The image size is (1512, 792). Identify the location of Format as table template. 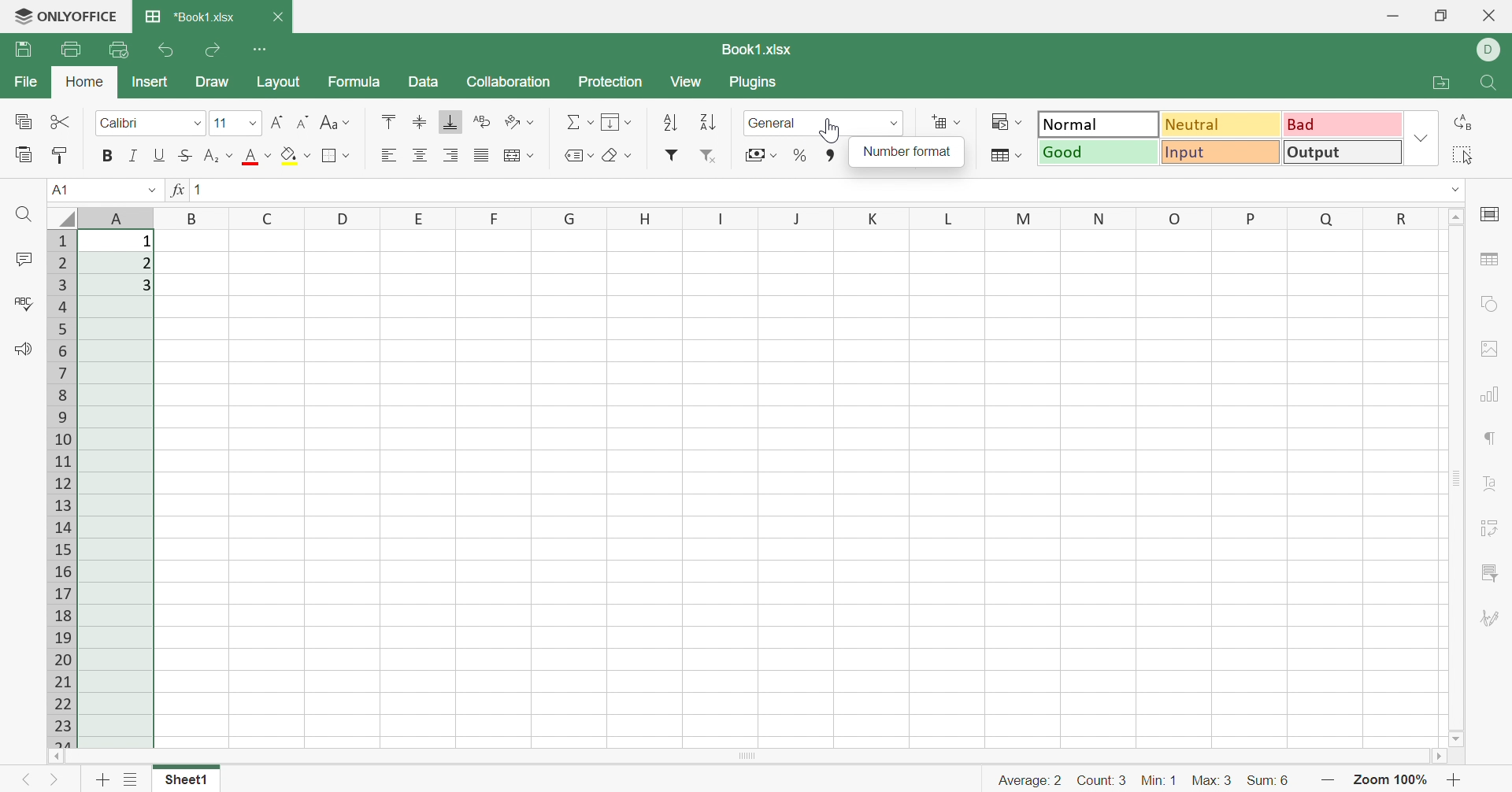
(1004, 155).